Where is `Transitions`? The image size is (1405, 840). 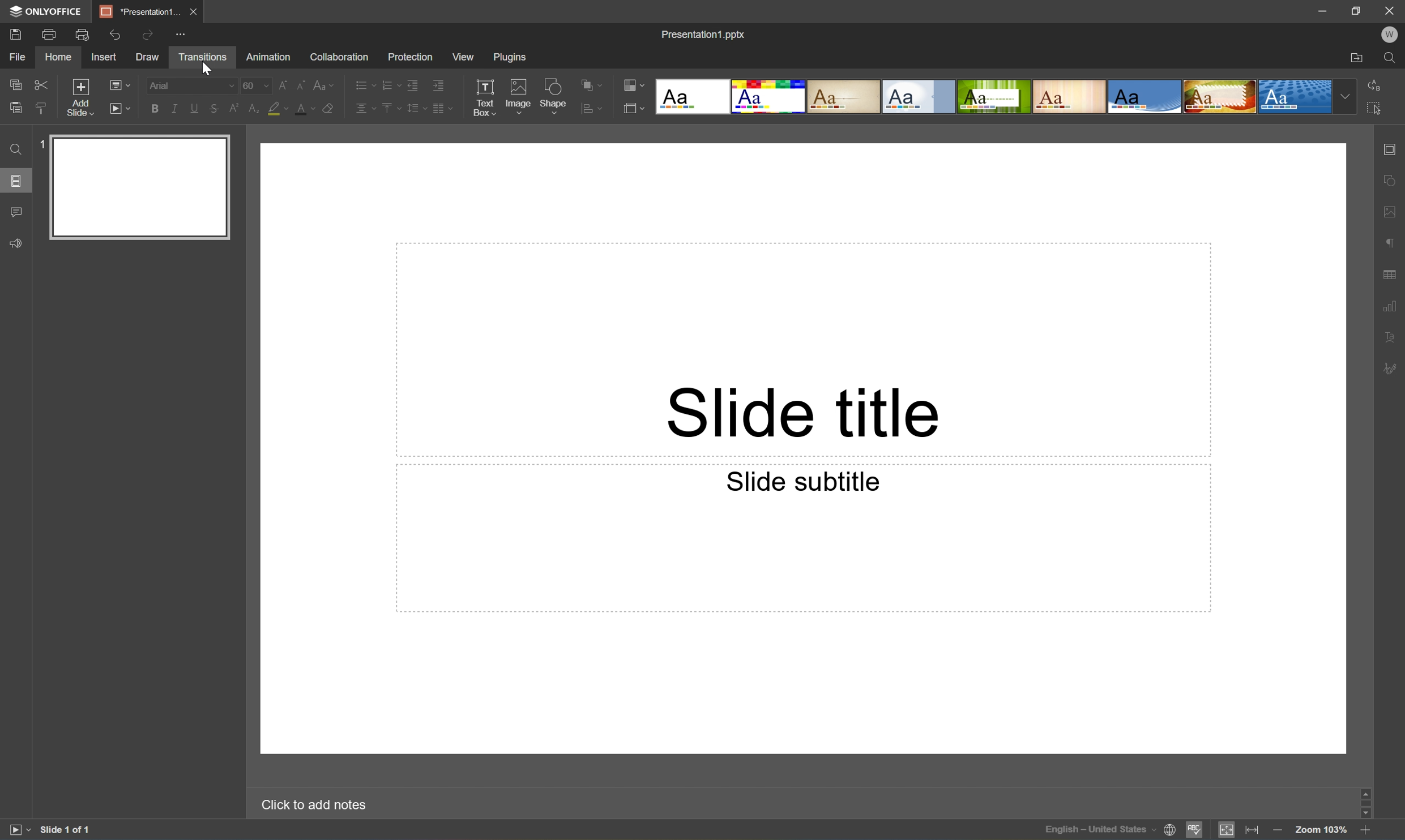 Transitions is located at coordinates (204, 57).